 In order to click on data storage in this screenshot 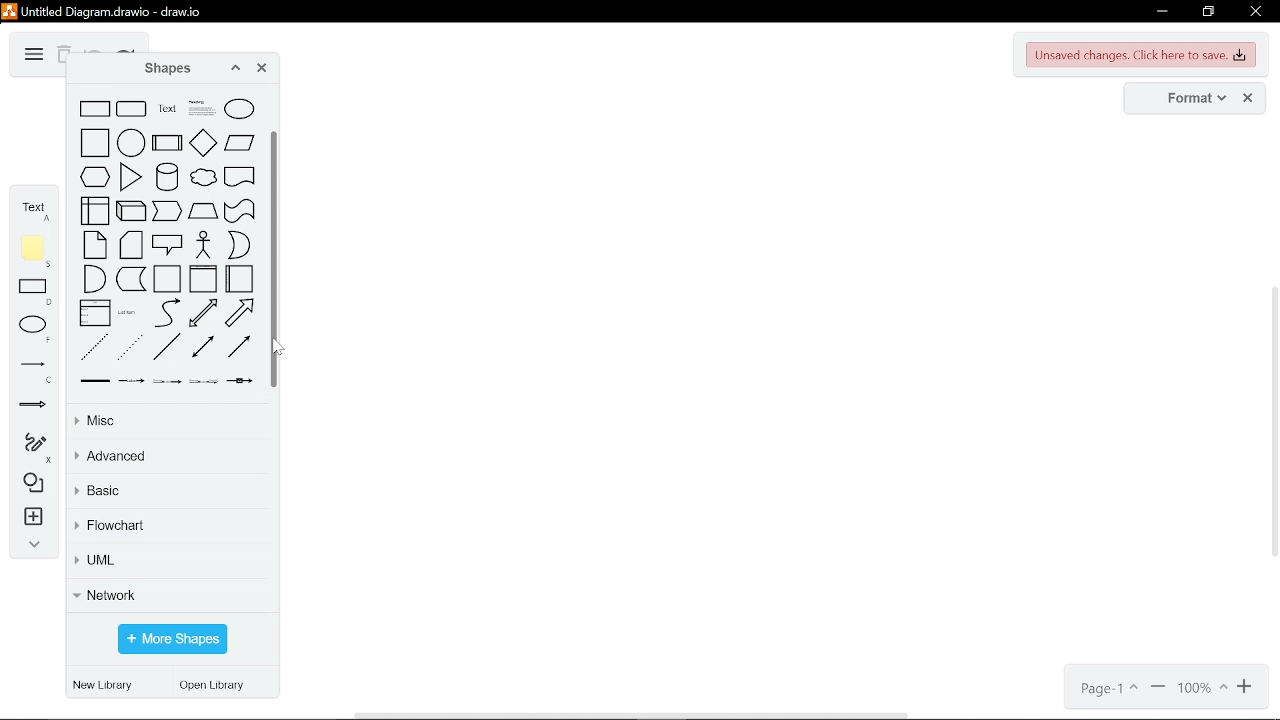, I will do `click(131, 279)`.